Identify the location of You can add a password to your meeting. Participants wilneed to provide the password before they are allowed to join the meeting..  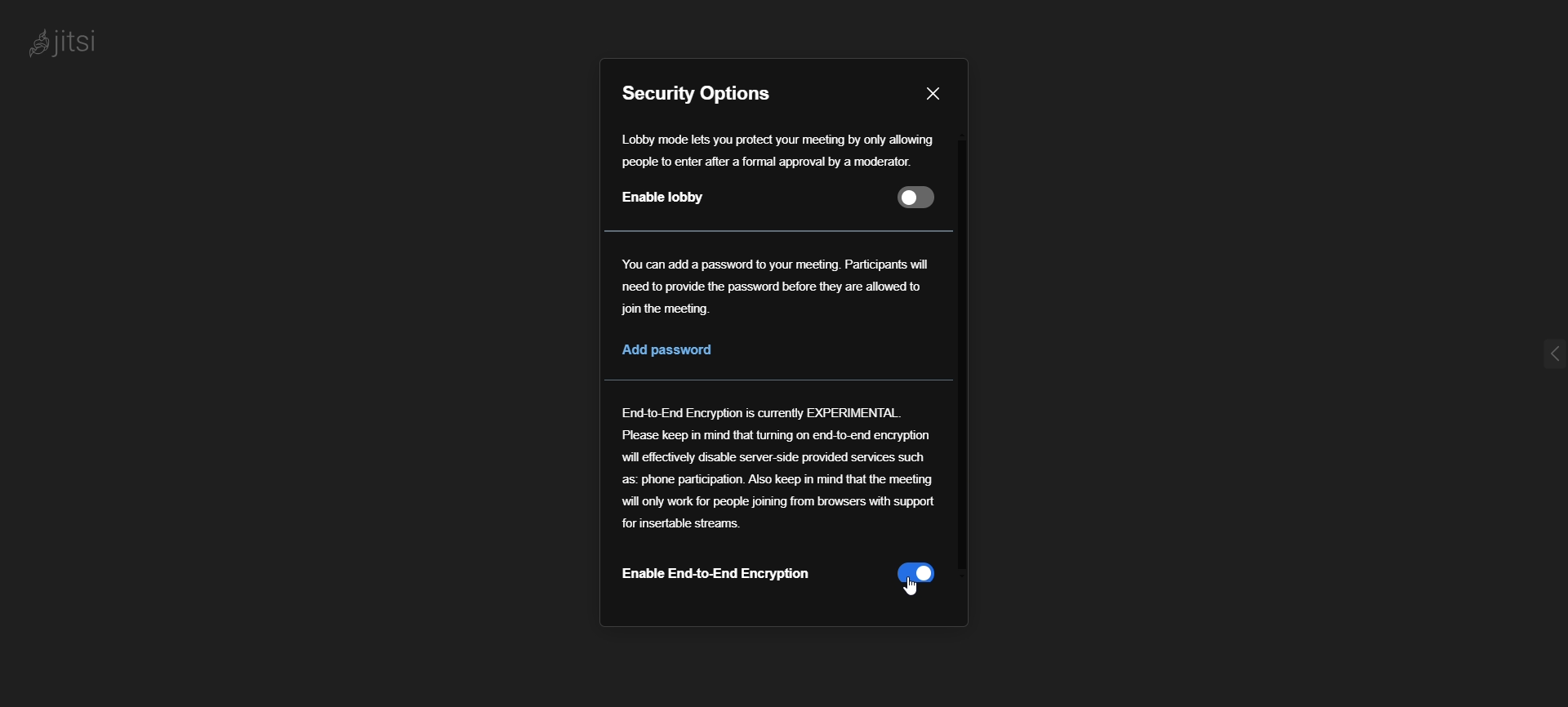
(782, 288).